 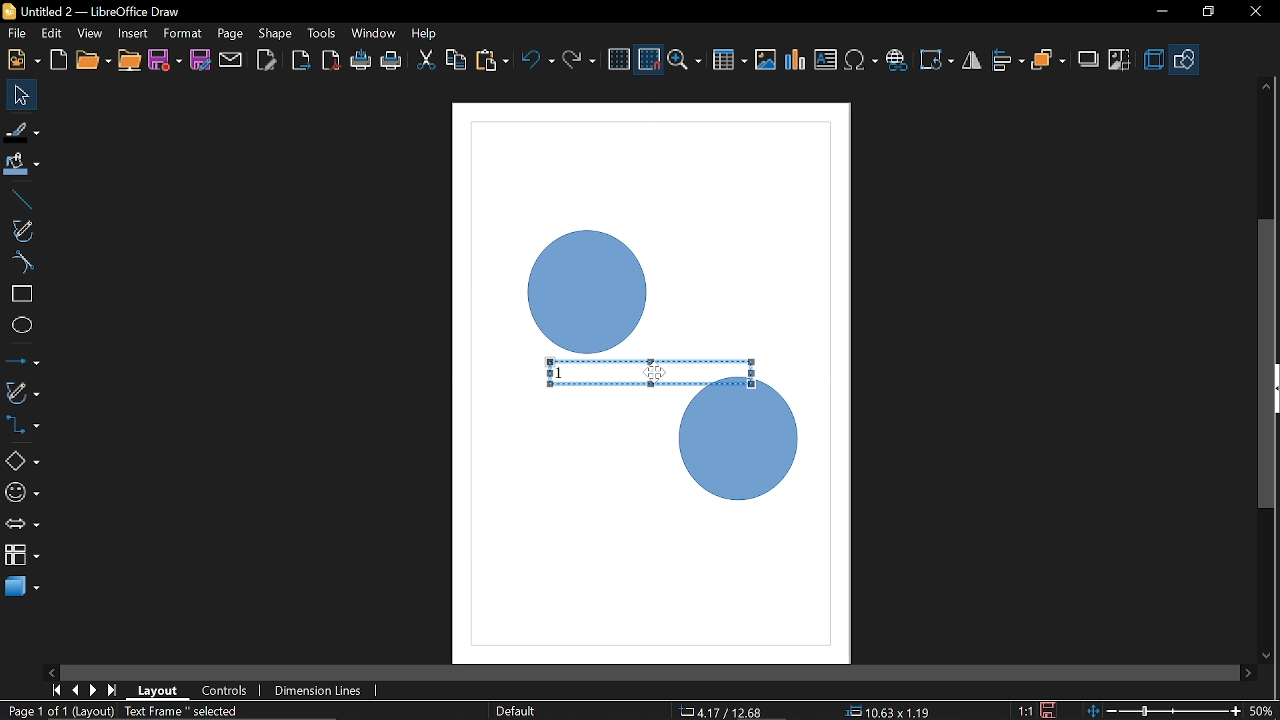 What do you see at coordinates (650, 60) in the screenshot?
I see `snap to grid` at bounding box center [650, 60].